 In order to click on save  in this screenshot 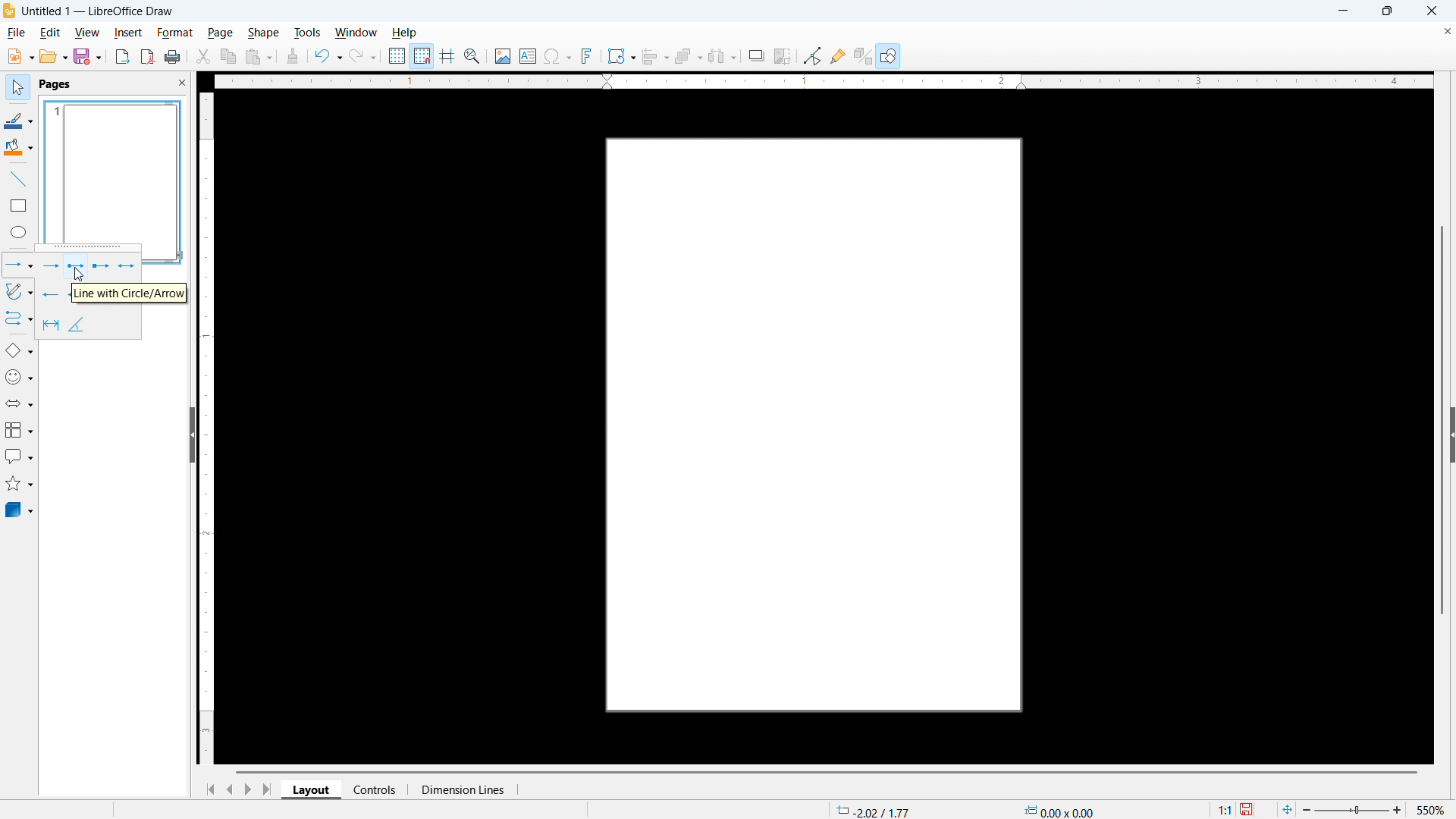, I will do `click(88, 55)`.